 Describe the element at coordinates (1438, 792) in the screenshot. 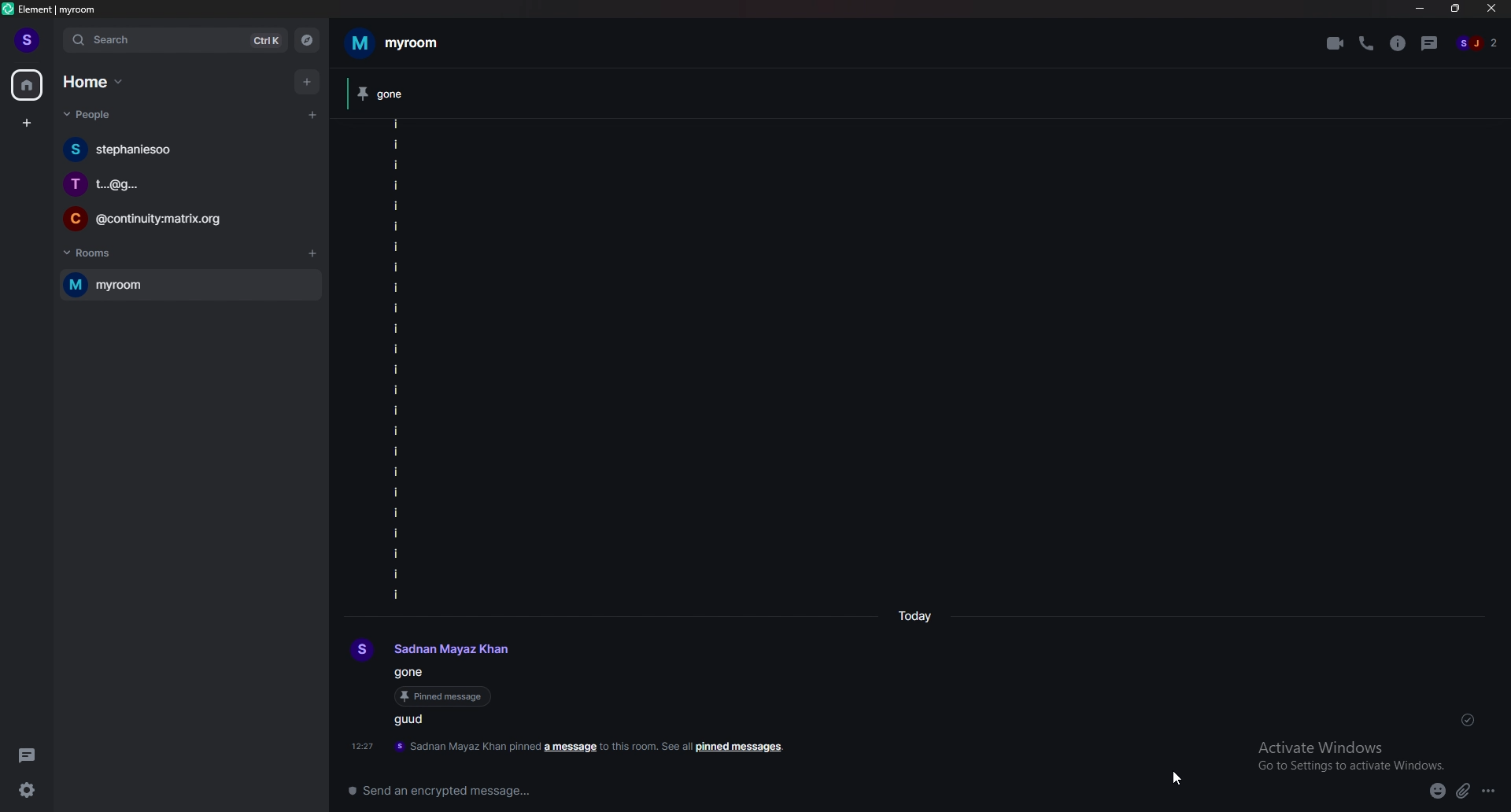

I see `emoji` at that location.